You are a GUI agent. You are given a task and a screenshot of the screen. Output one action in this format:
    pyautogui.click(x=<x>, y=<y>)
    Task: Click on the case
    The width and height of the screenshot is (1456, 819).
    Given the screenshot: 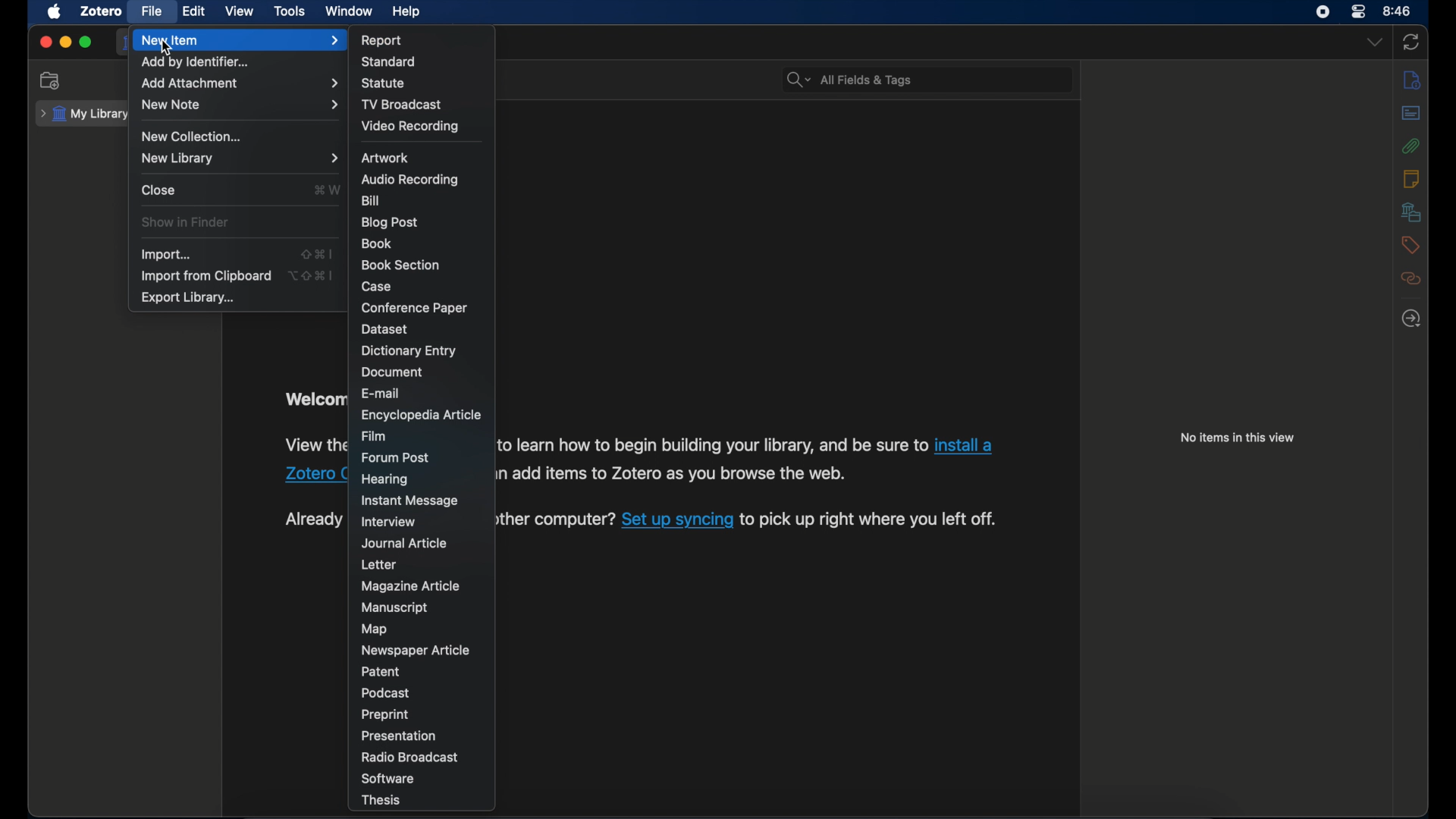 What is the action you would take?
    pyautogui.click(x=376, y=286)
    